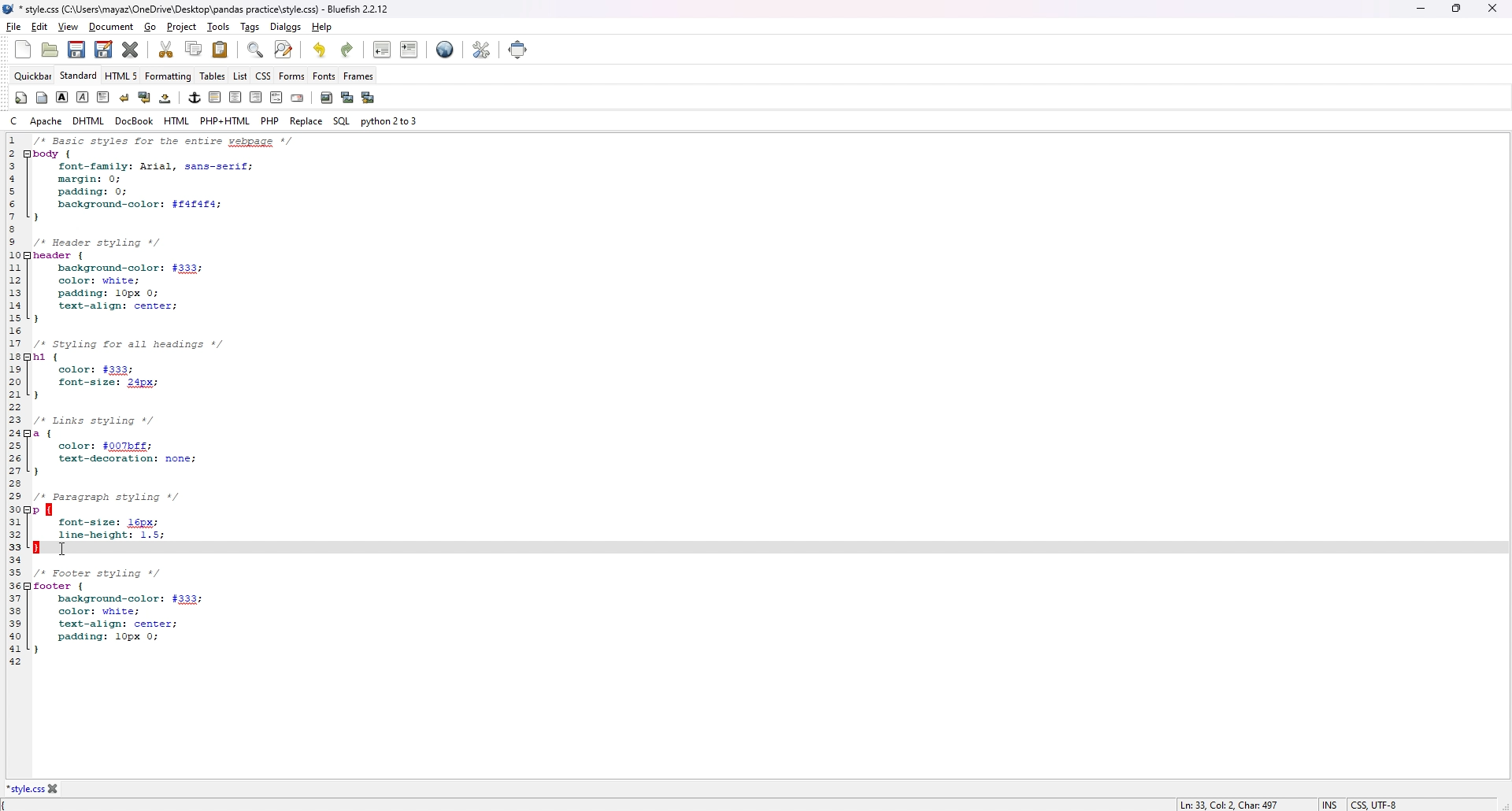 The height and width of the screenshot is (811, 1512). Describe the element at coordinates (1492, 7) in the screenshot. I see `close` at that location.